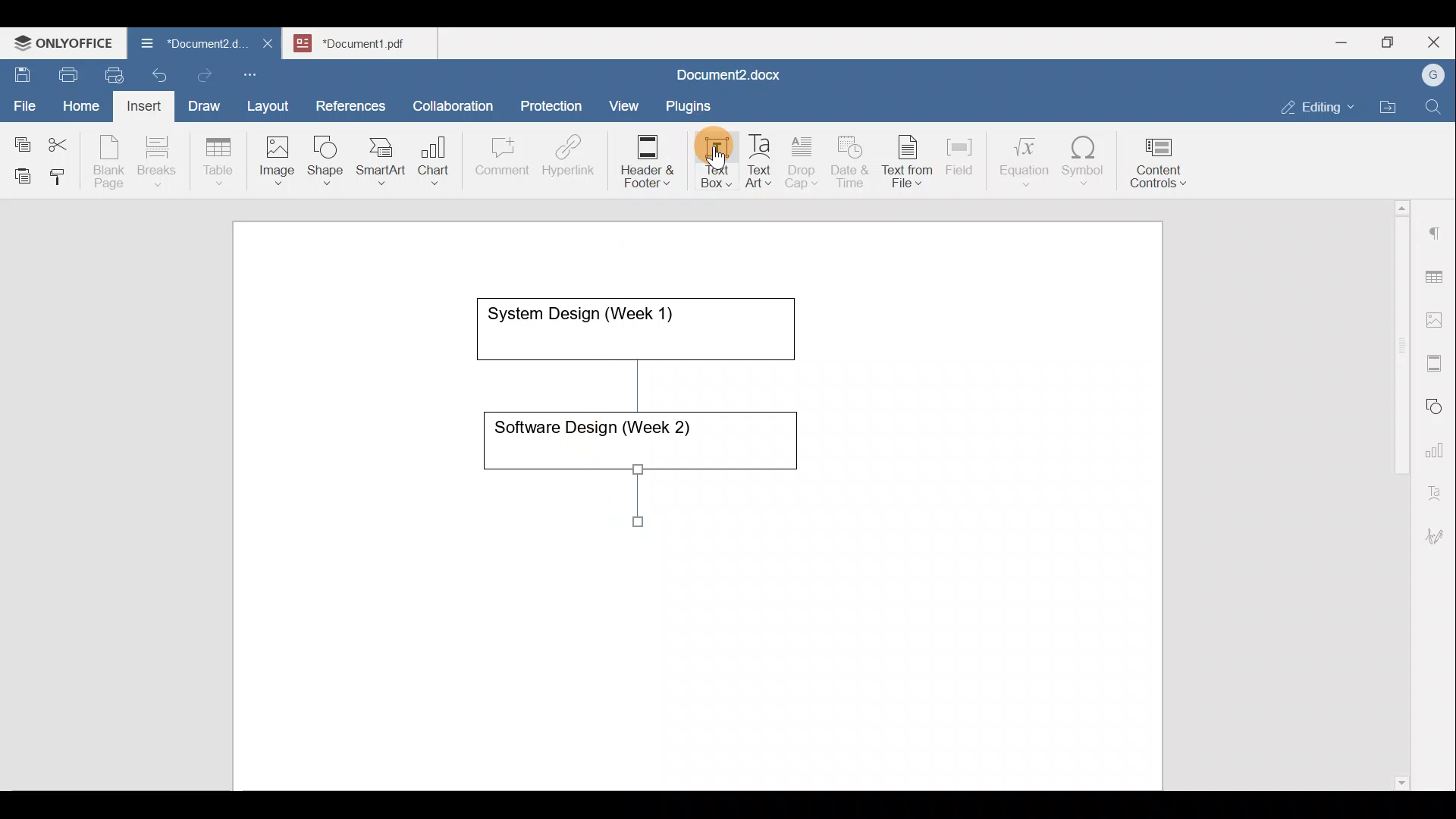  I want to click on Protection, so click(556, 104).